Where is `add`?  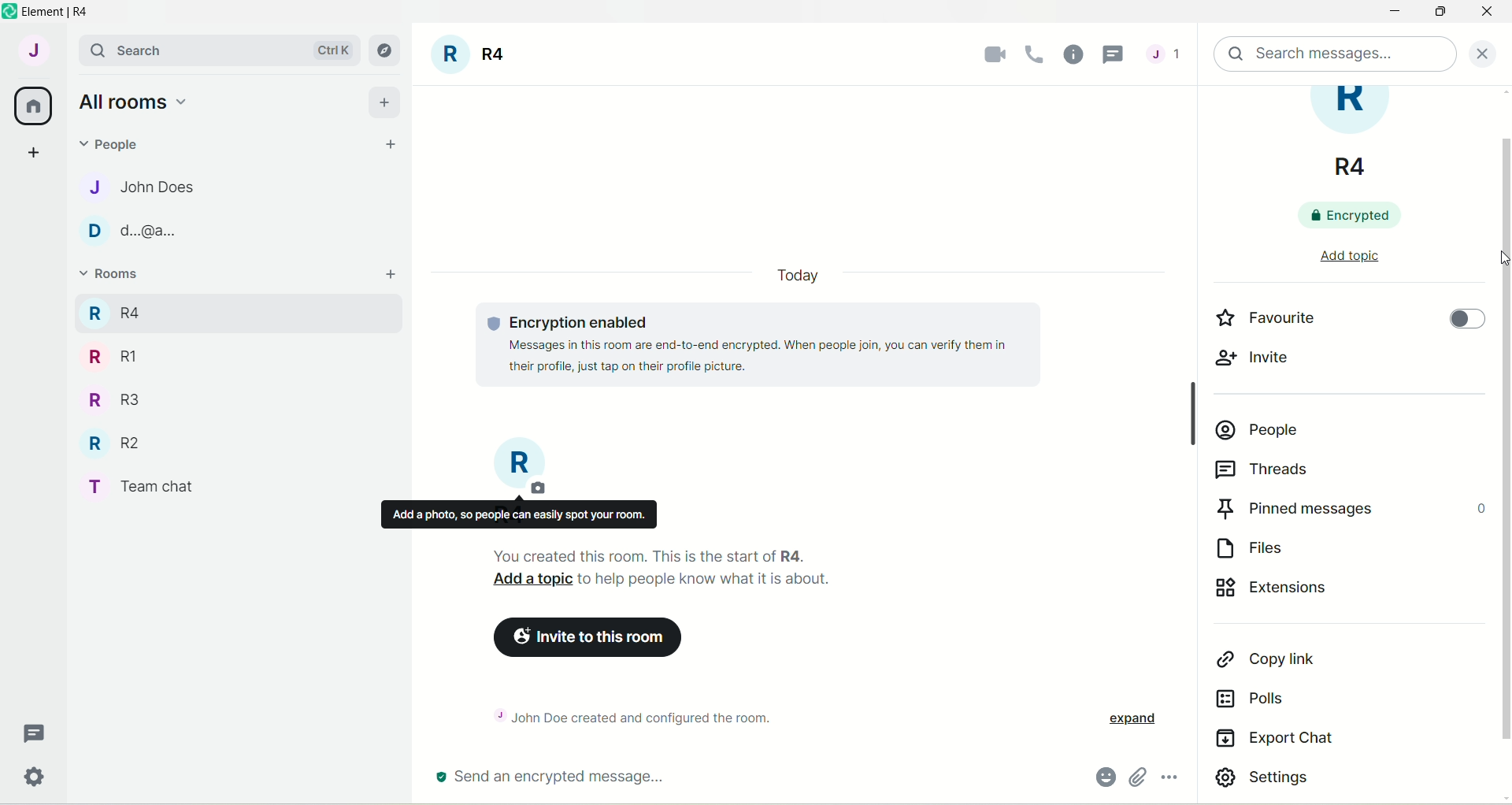
add is located at coordinates (385, 100).